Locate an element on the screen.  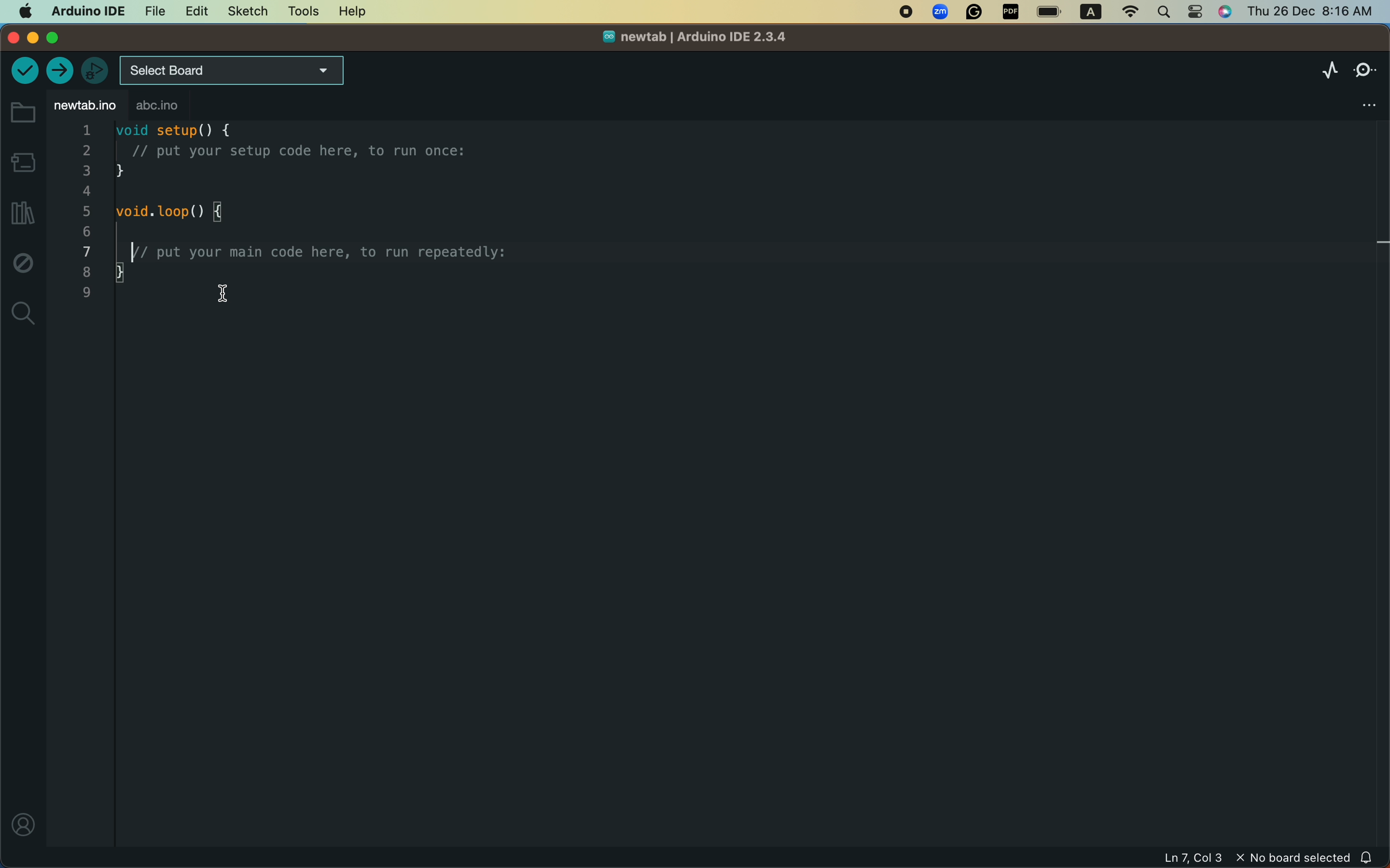
file name is located at coordinates (686, 40).